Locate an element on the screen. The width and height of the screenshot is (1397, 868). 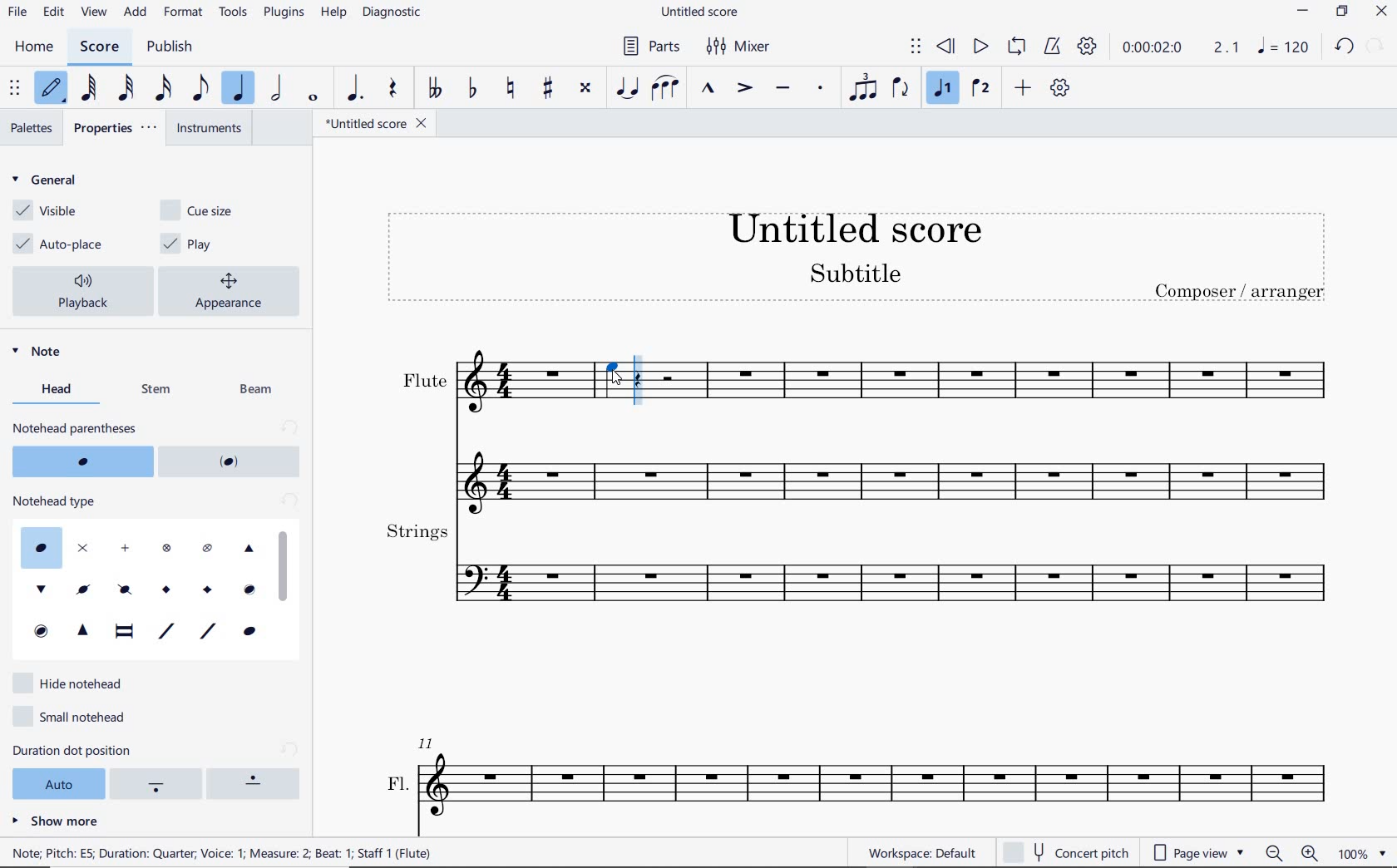
AUGMENTATION DOT is located at coordinates (355, 89).